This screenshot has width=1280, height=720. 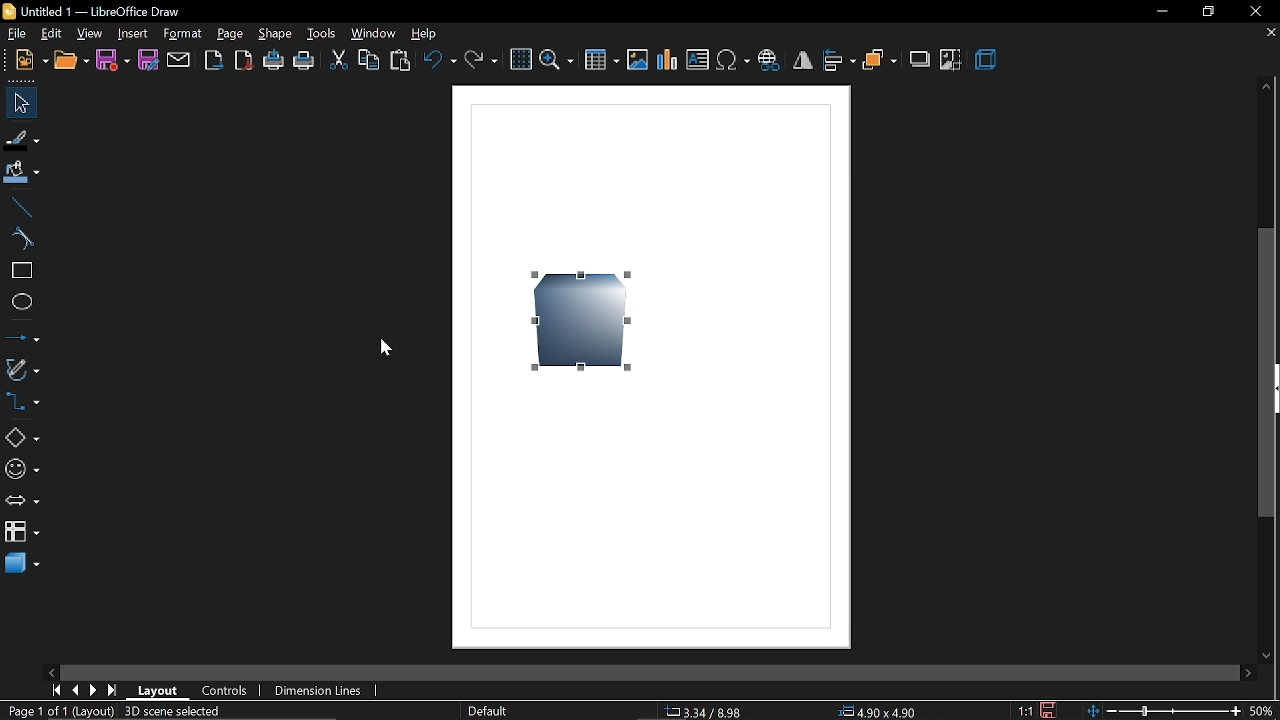 I want to click on lines and arrow, so click(x=22, y=337).